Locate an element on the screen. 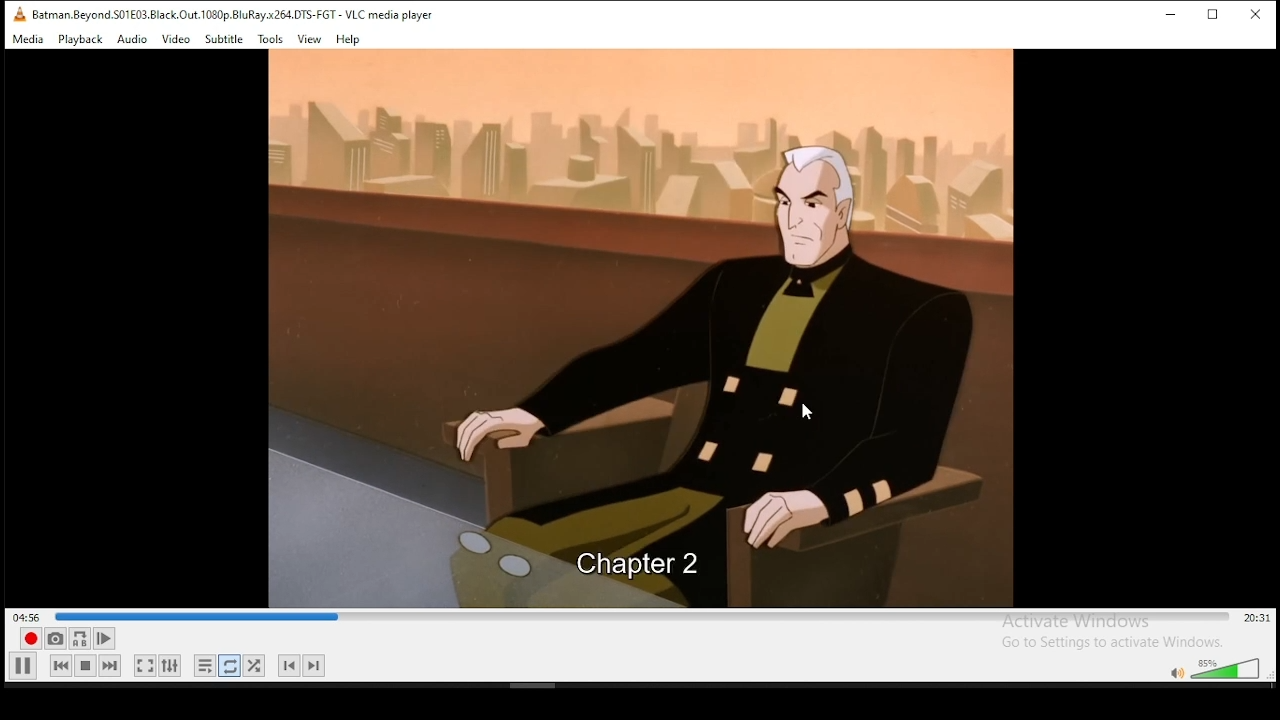 The height and width of the screenshot is (720, 1280). progress bar is located at coordinates (643, 616).